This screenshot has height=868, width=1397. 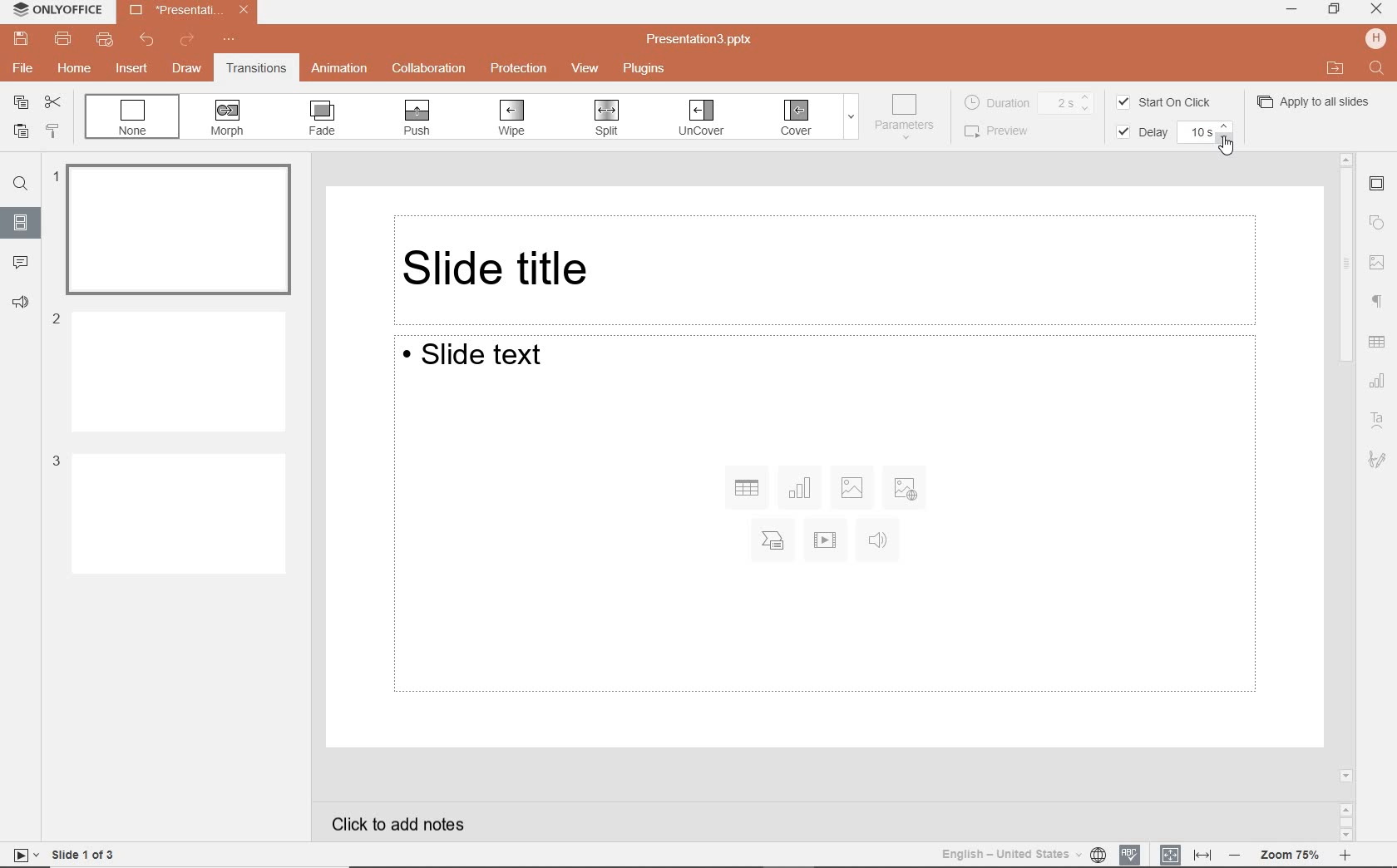 What do you see at coordinates (169, 369) in the screenshot?
I see `Slide 2` at bounding box center [169, 369].